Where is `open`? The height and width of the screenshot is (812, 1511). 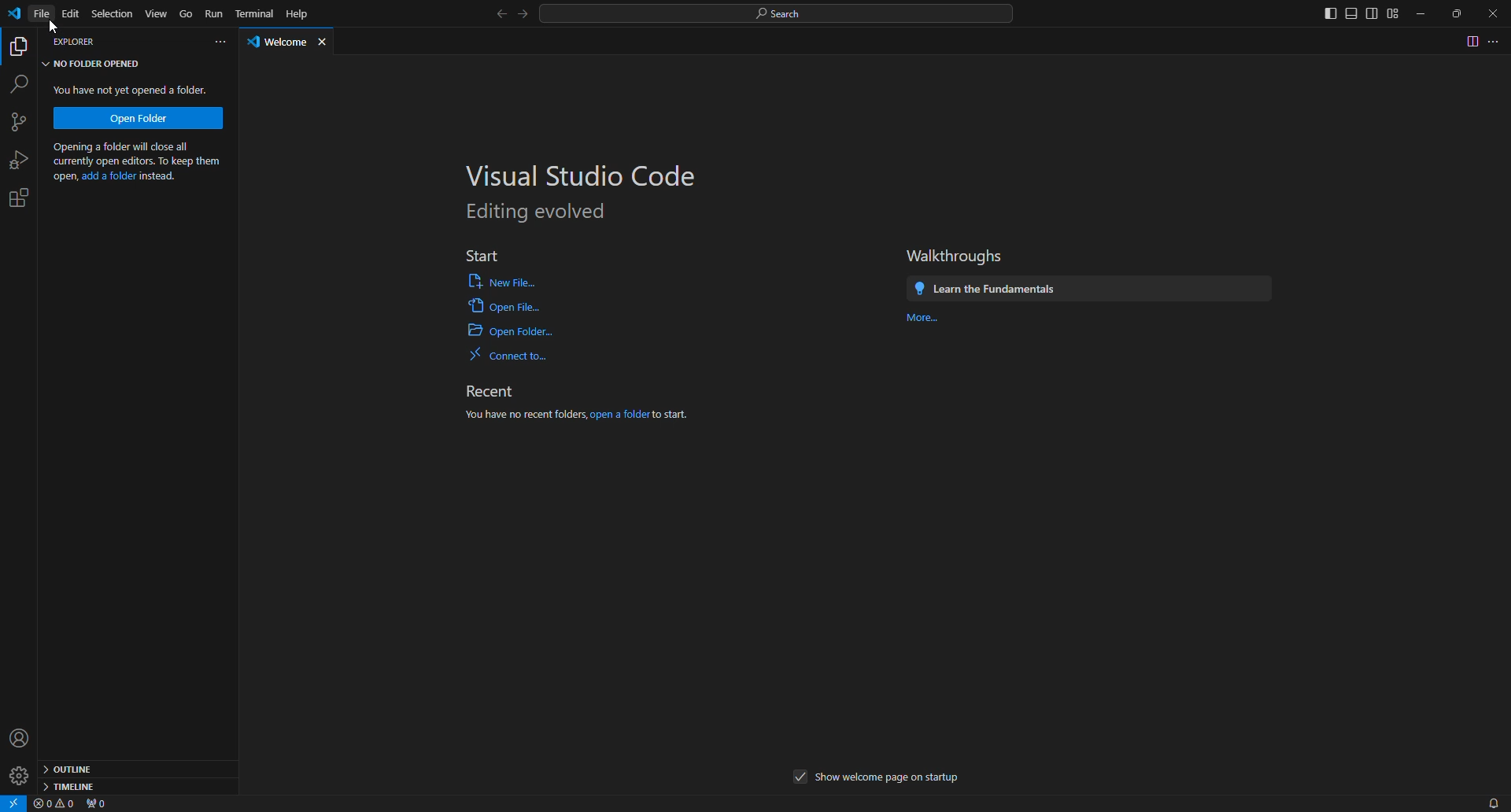
open is located at coordinates (63, 177).